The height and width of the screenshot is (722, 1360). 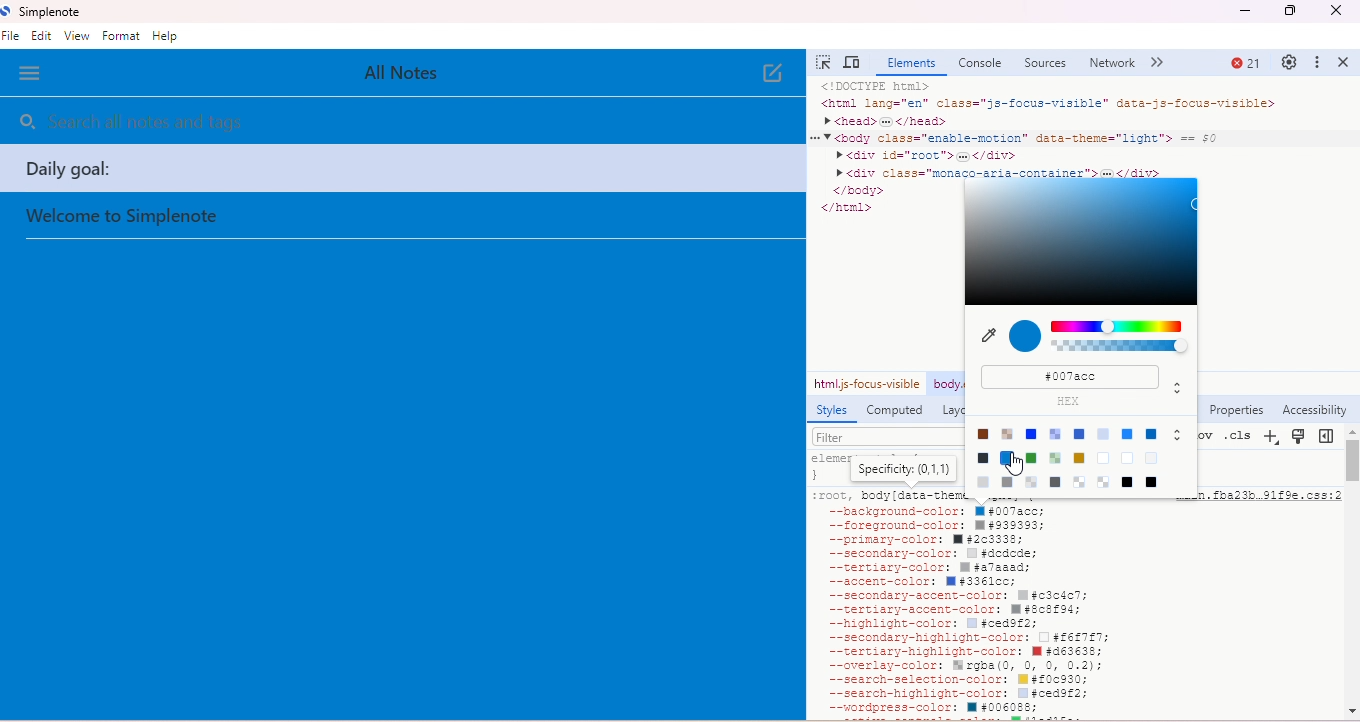 I want to click on foreground-color, so click(x=928, y=526).